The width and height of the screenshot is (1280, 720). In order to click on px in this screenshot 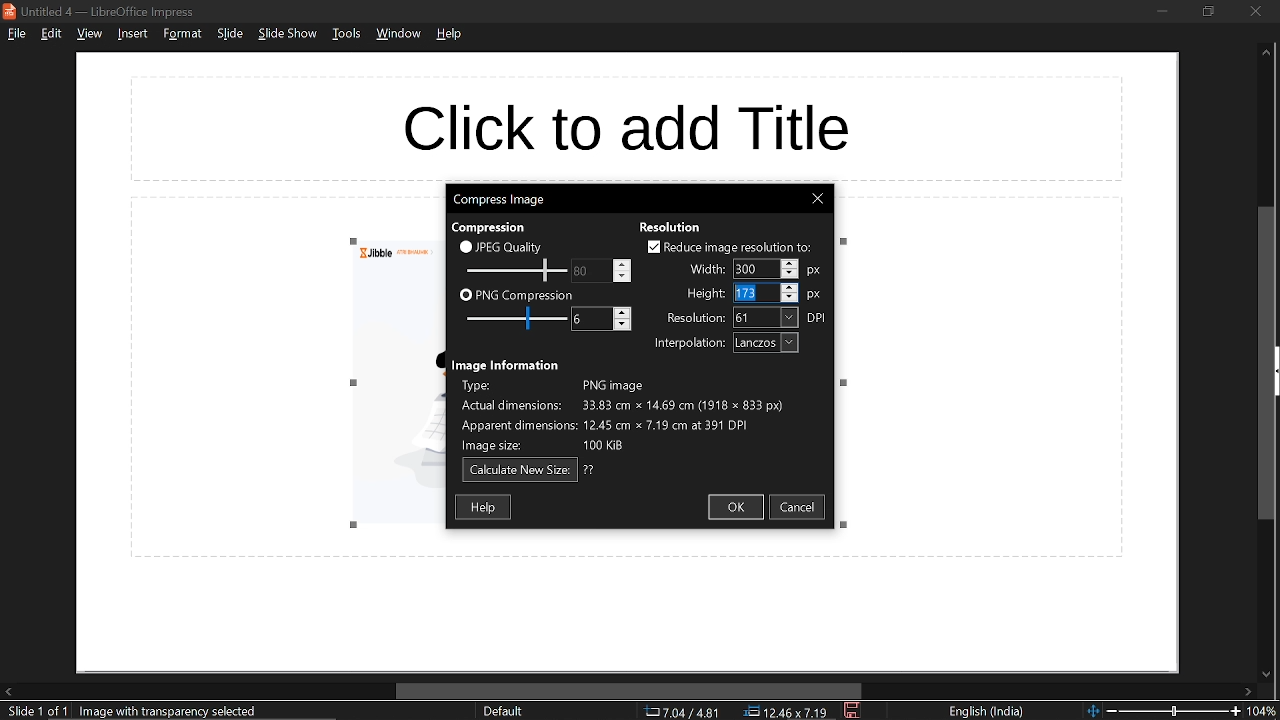, I will do `click(818, 269)`.